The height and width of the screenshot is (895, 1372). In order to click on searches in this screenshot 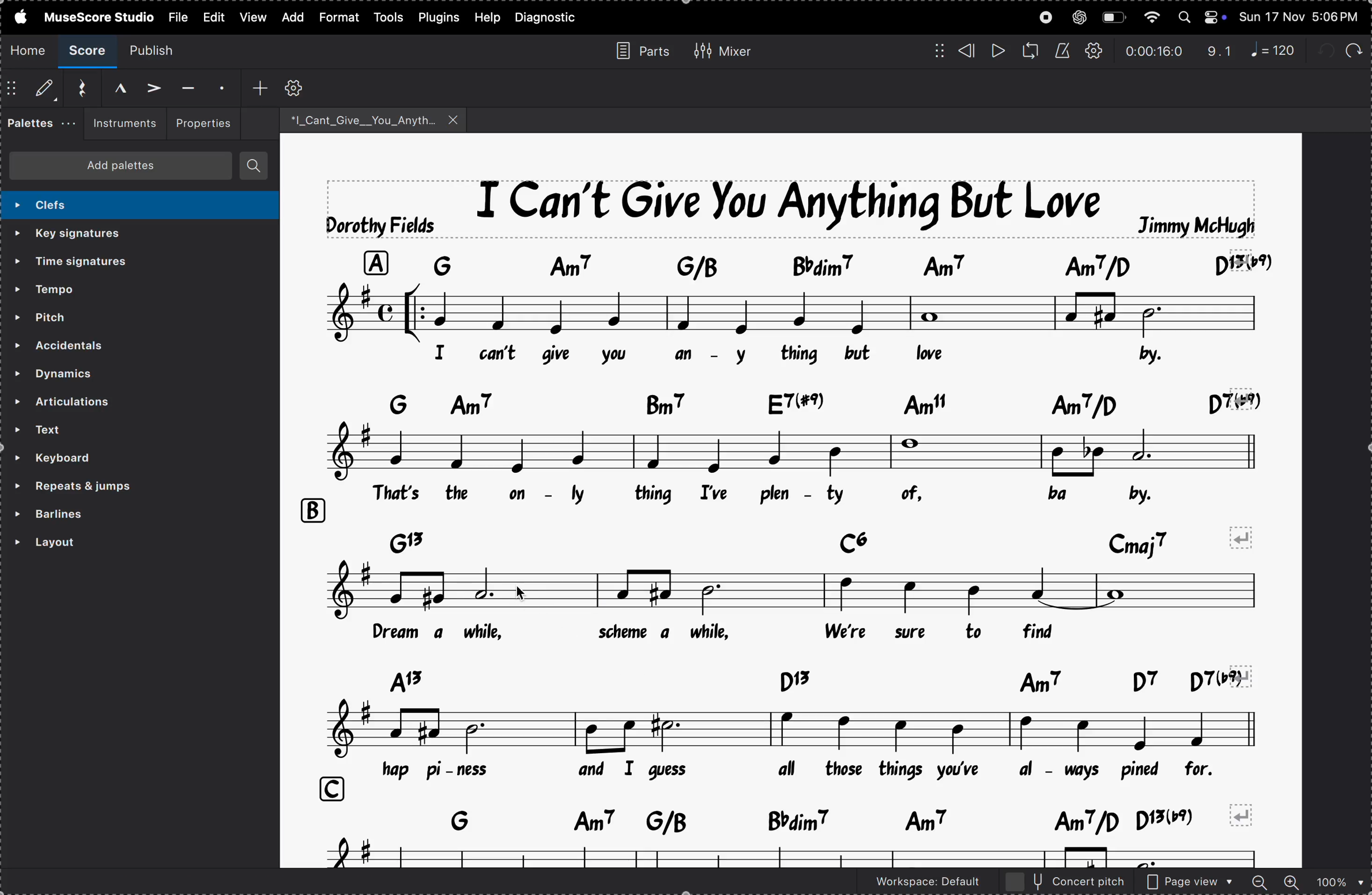, I will do `click(255, 165)`.